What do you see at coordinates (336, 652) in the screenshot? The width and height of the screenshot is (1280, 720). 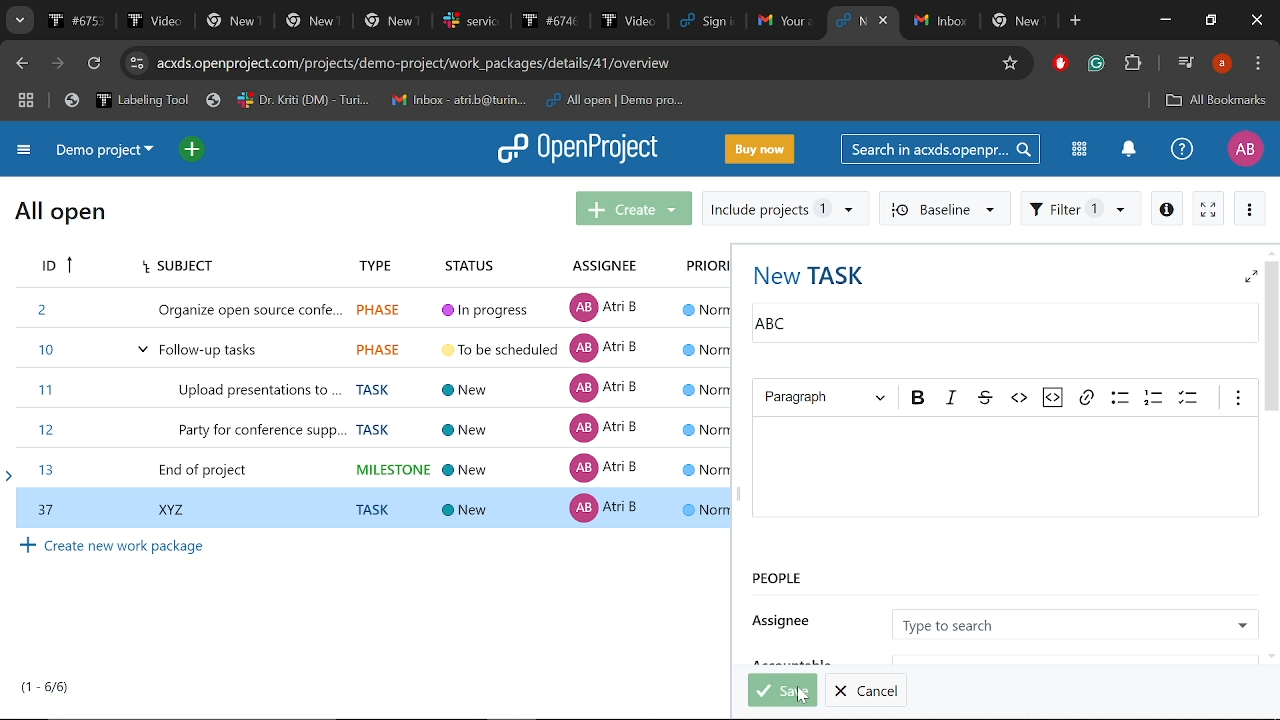 I see `scroll bar` at bounding box center [336, 652].